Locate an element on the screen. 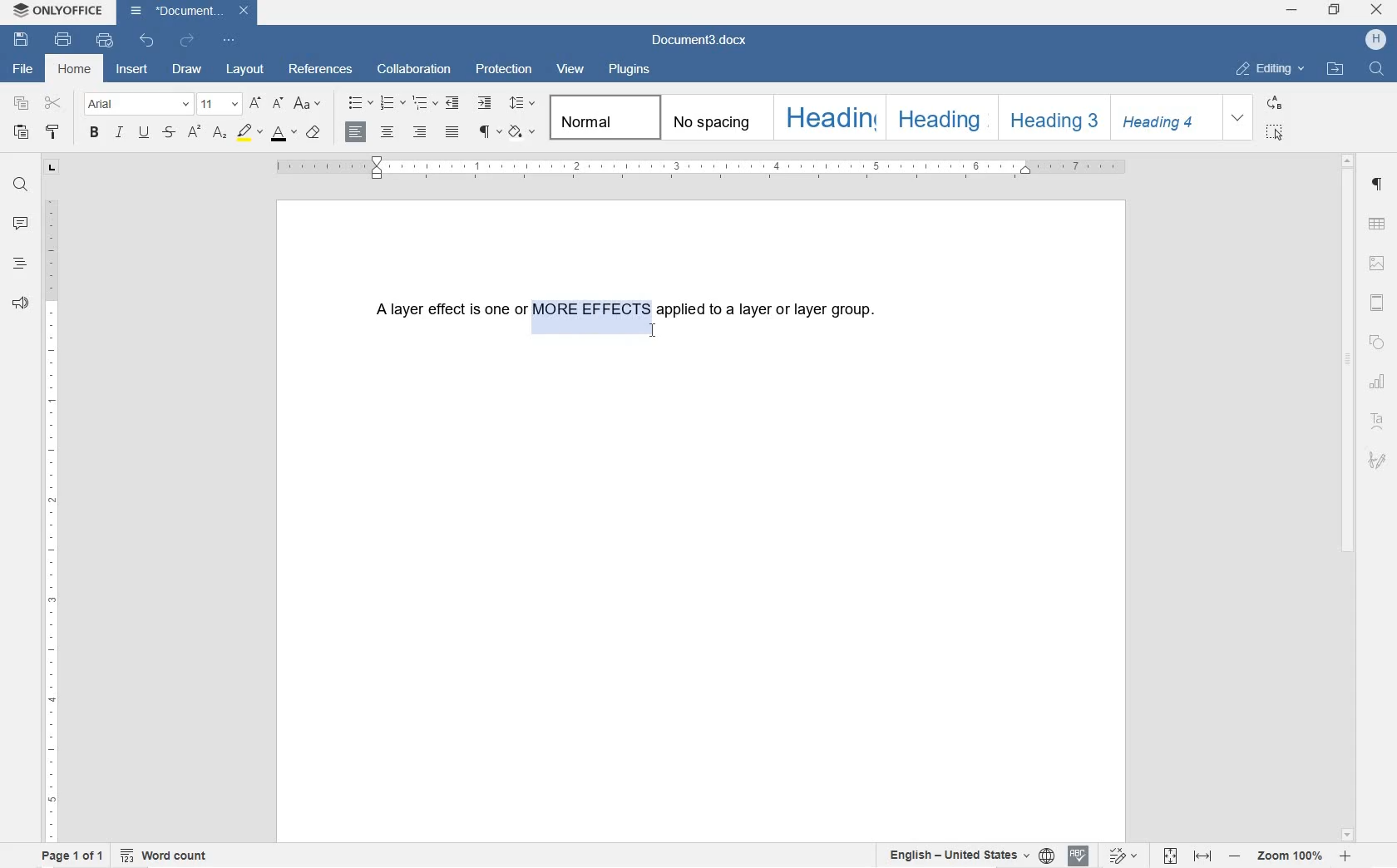 This screenshot has width=1397, height=868. DECREASE INDENT is located at coordinates (452, 104).